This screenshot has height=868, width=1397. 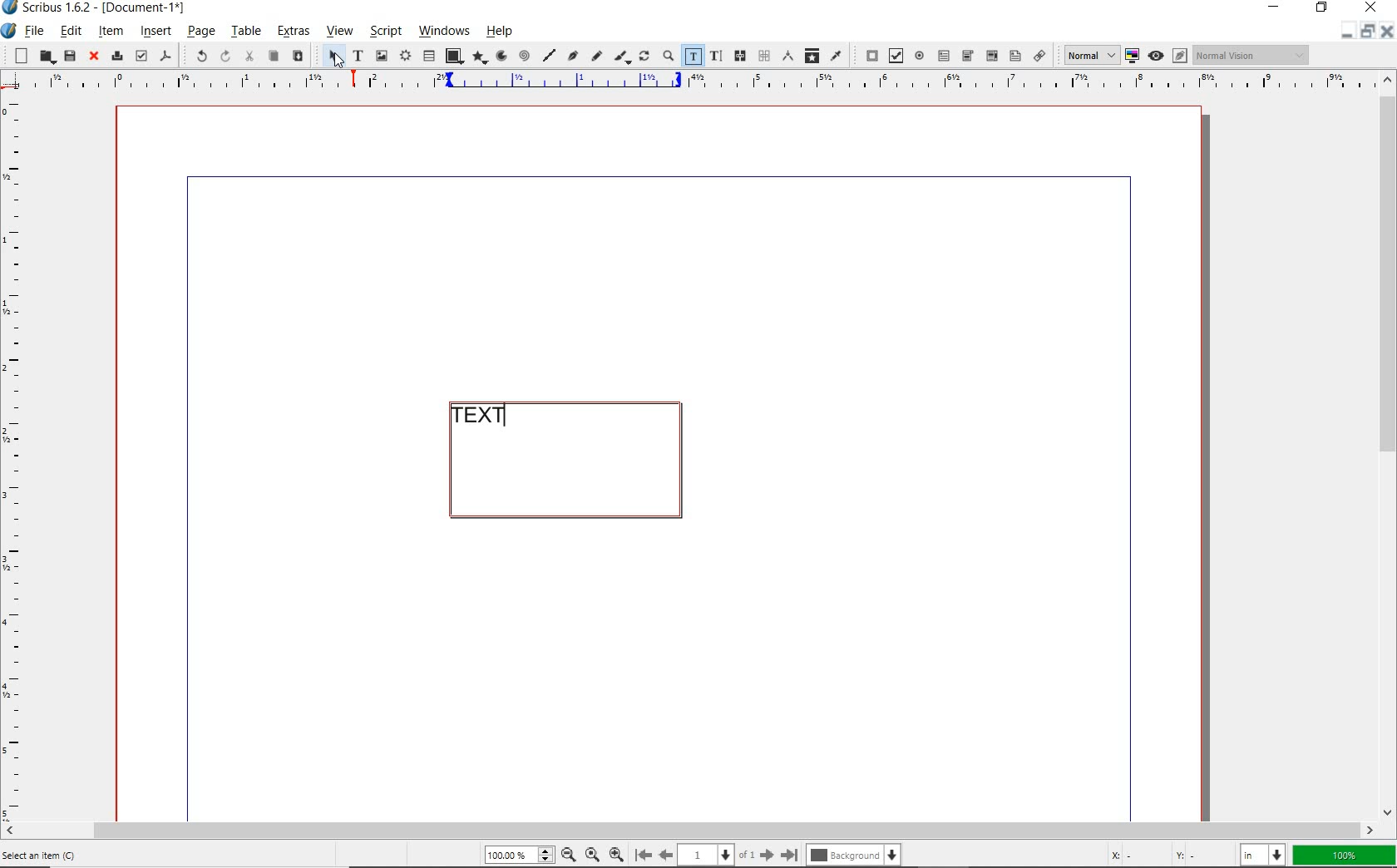 What do you see at coordinates (94, 57) in the screenshot?
I see `close` at bounding box center [94, 57].